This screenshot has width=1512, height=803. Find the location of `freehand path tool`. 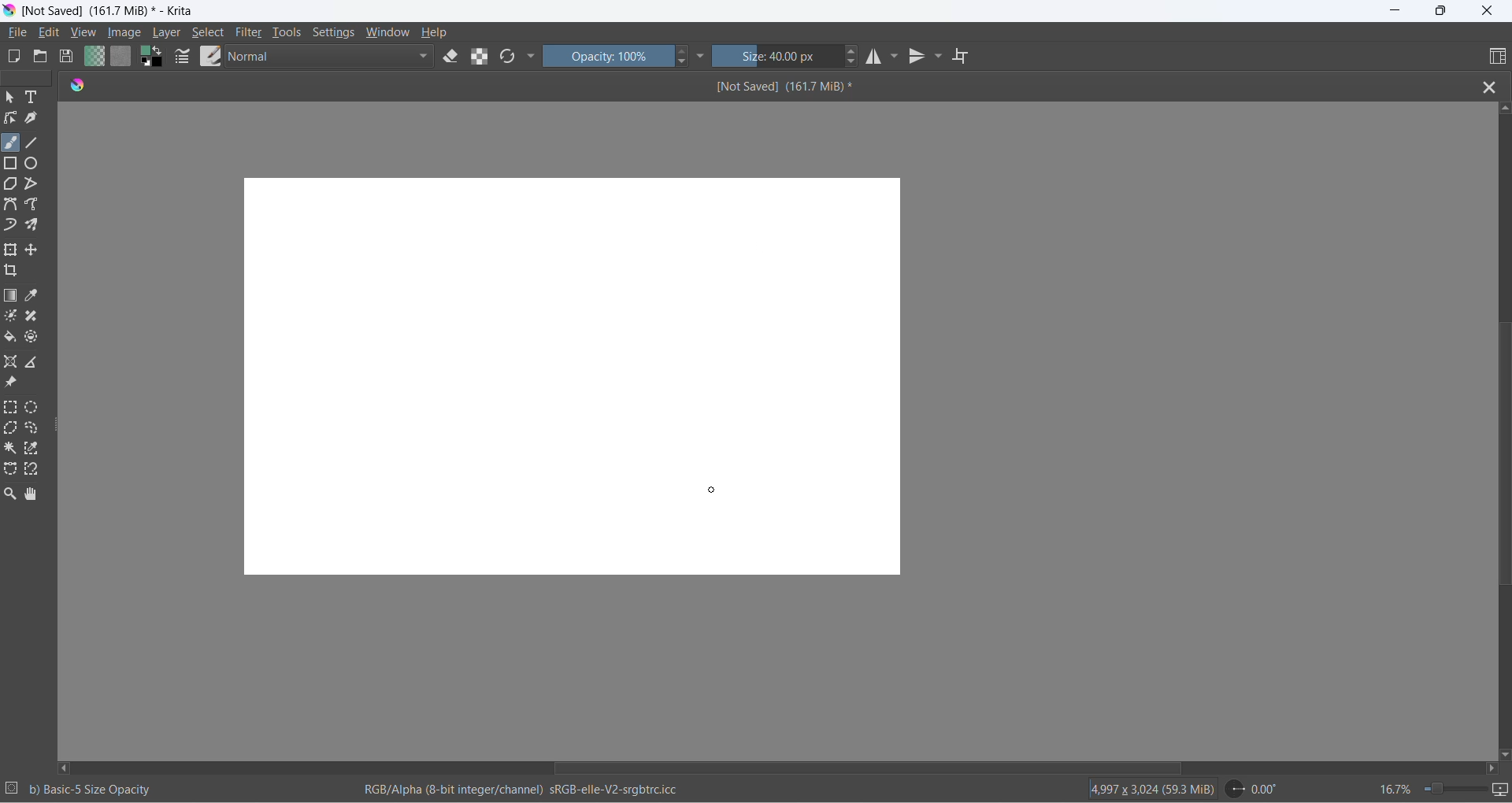

freehand path tool is located at coordinates (35, 205).